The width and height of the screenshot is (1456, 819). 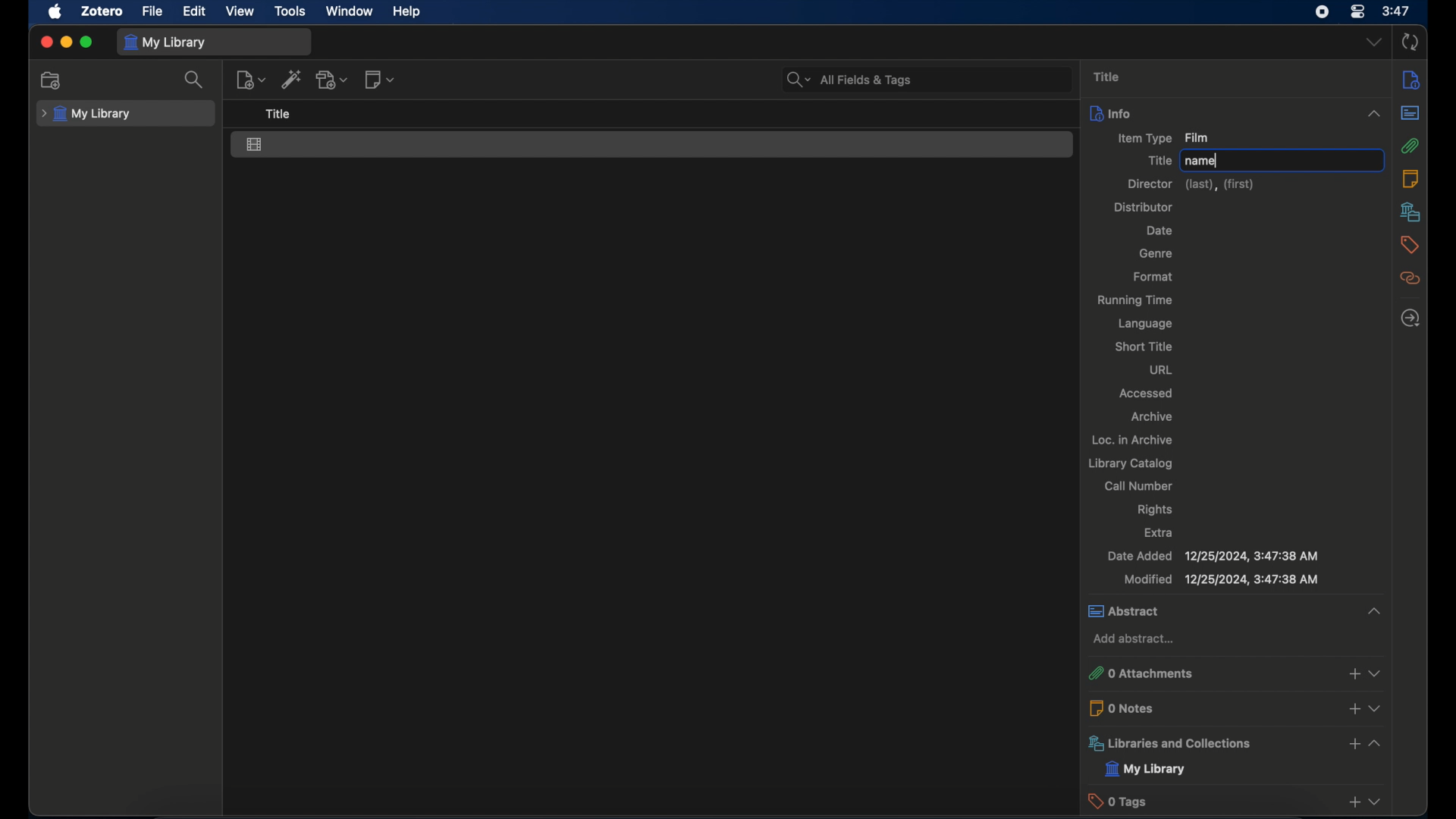 What do you see at coordinates (65, 42) in the screenshot?
I see `minimize` at bounding box center [65, 42].